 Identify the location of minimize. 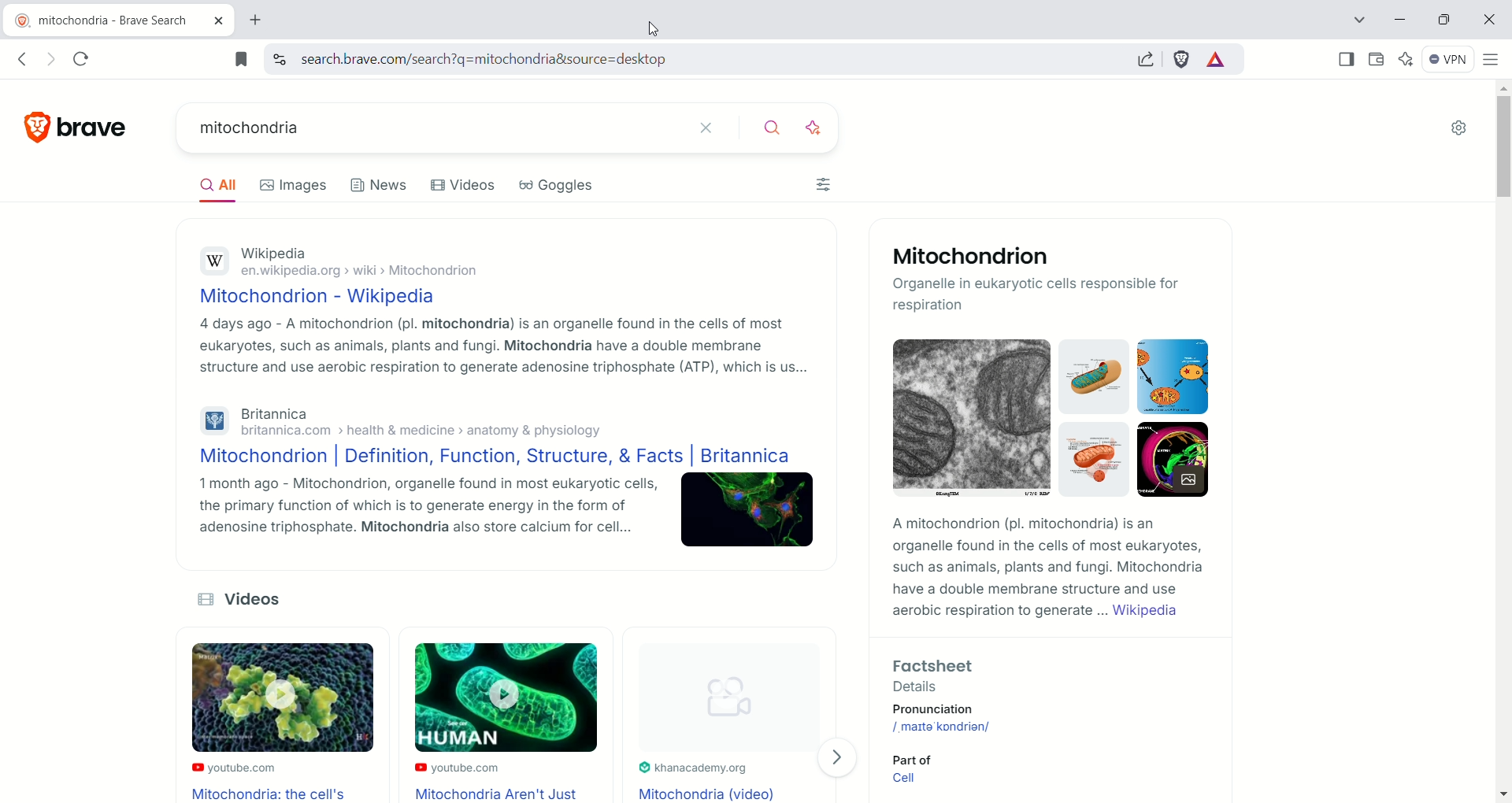
(1401, 19).